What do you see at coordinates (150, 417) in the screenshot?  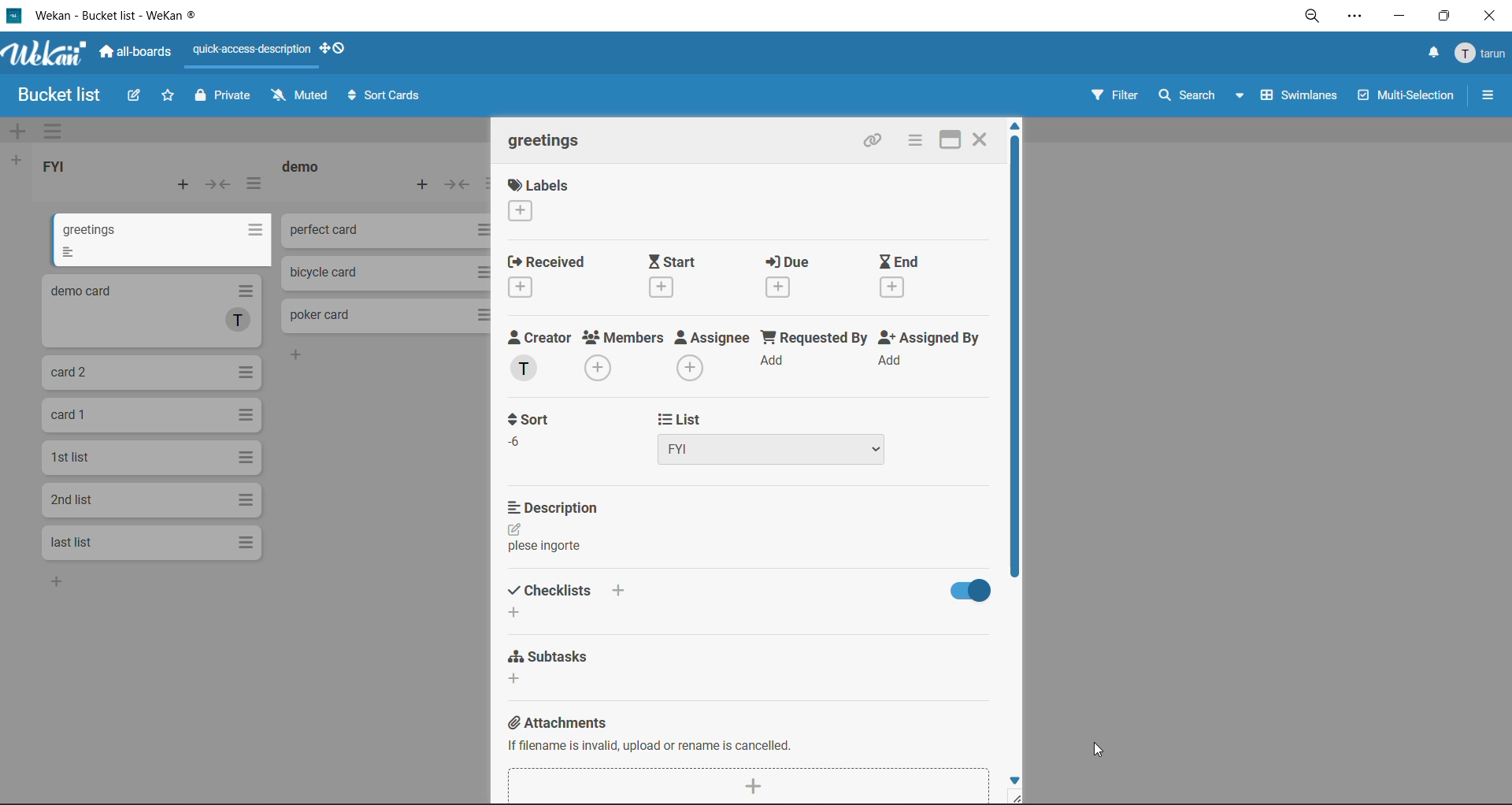 I see `cards` at bounding box center [150, 417].